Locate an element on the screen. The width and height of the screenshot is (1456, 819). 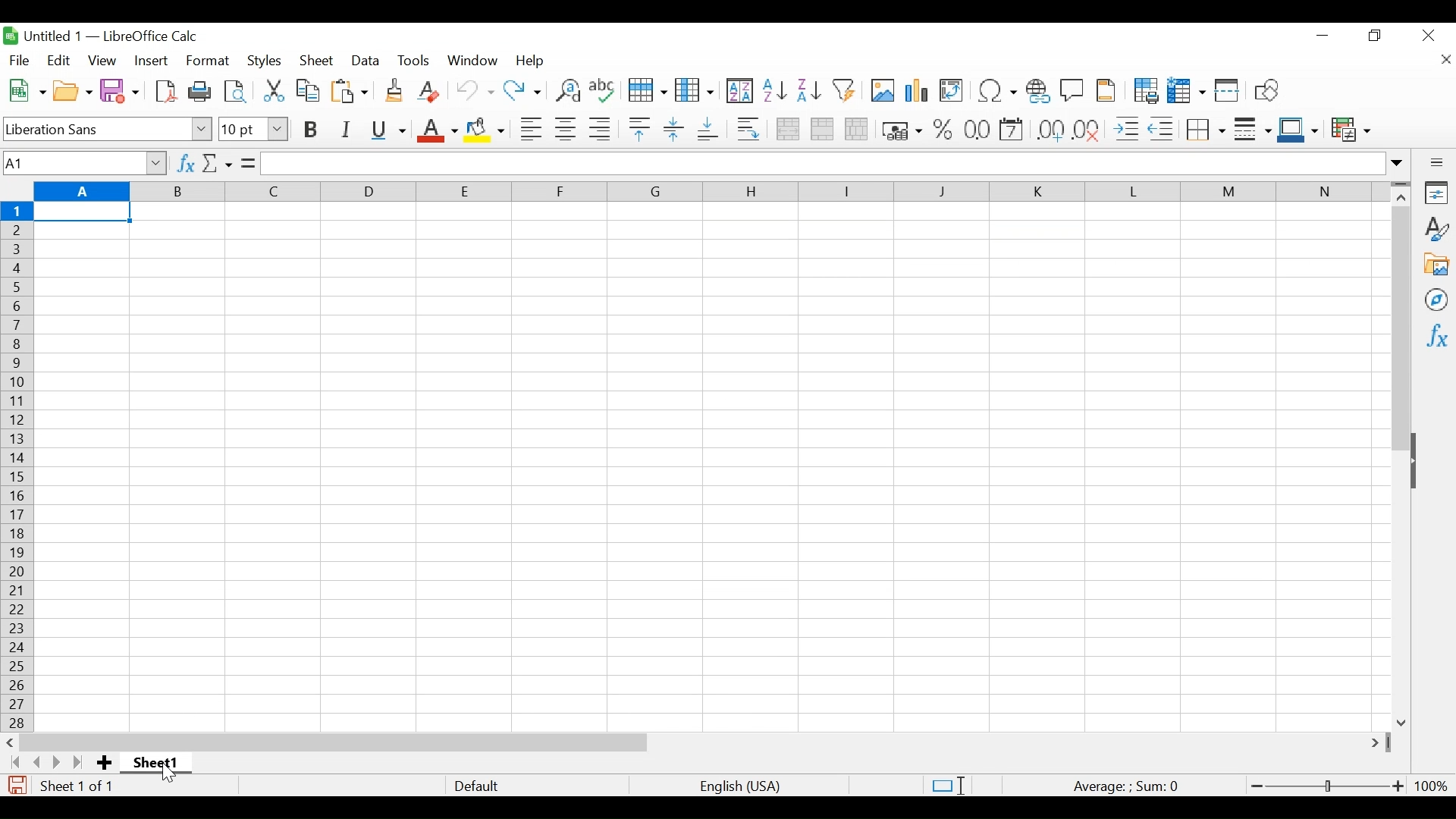
File is located at coordinates (21, 60).